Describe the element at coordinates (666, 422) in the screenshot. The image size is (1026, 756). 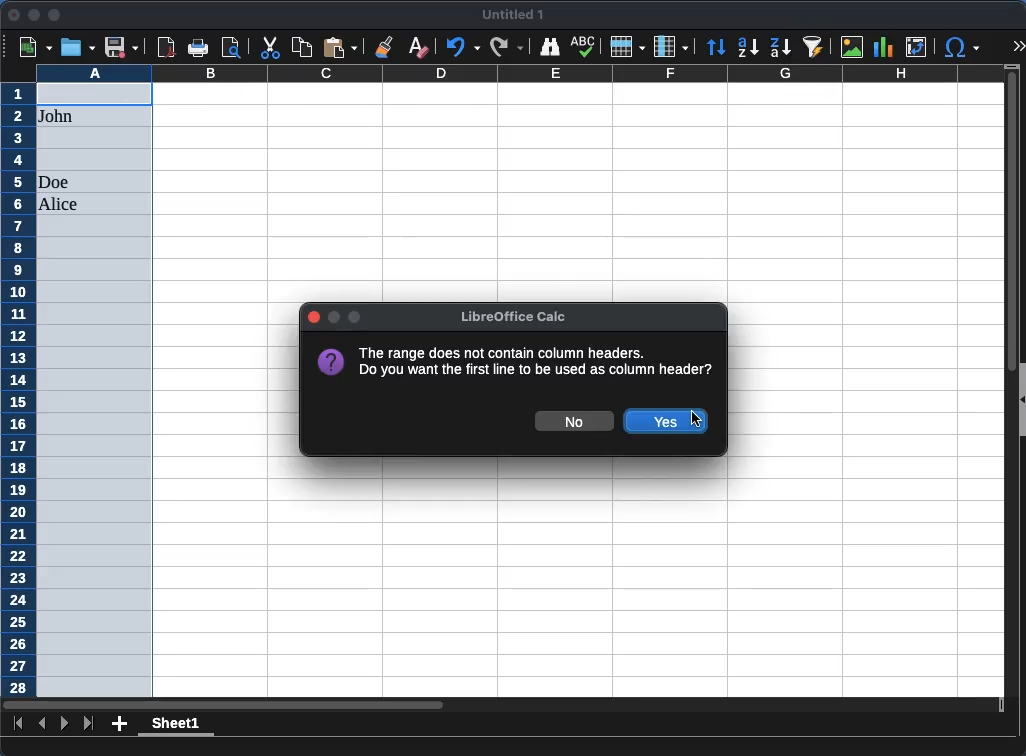
I see `Yes` at that location.